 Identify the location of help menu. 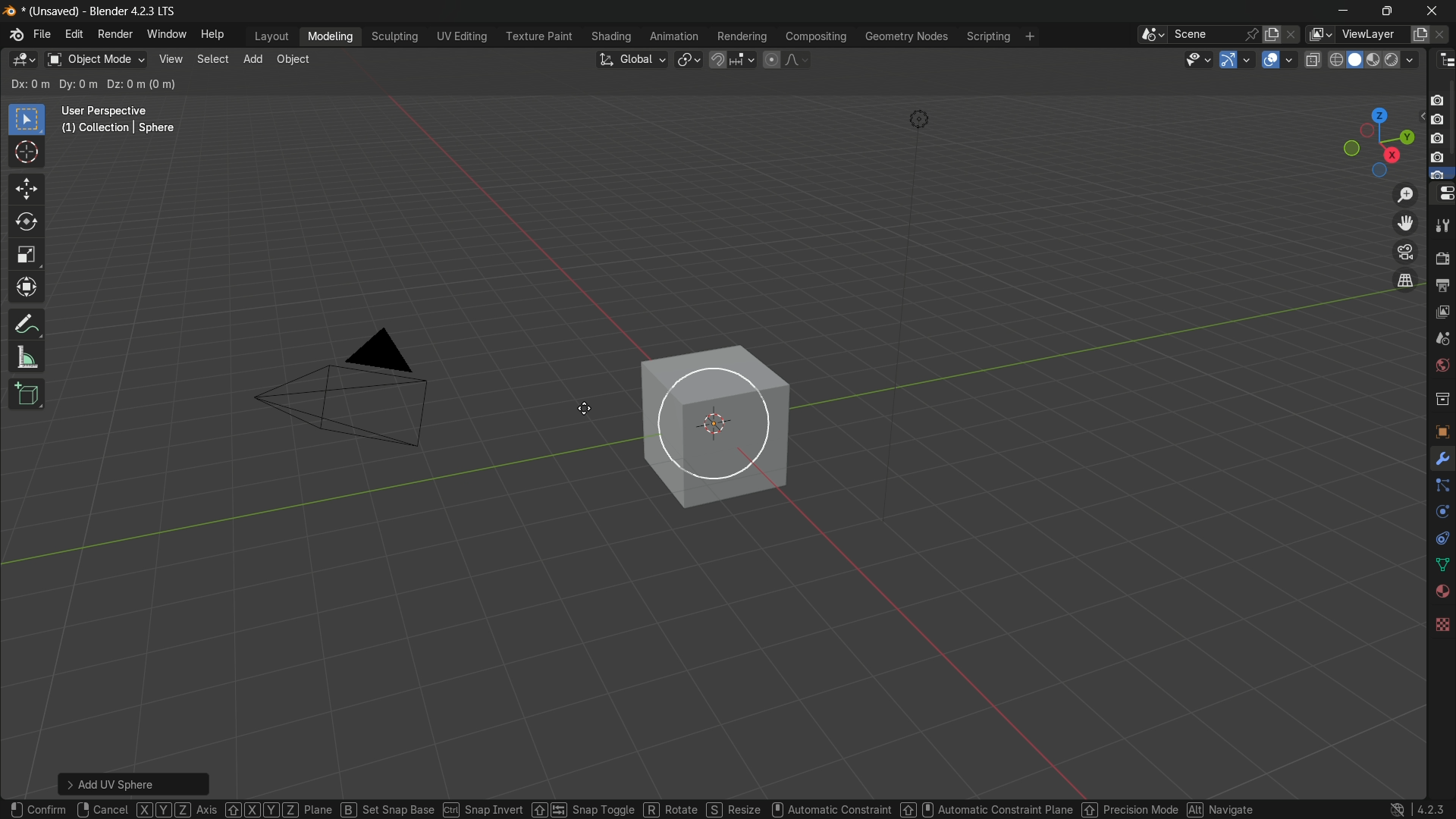
(212, 33).